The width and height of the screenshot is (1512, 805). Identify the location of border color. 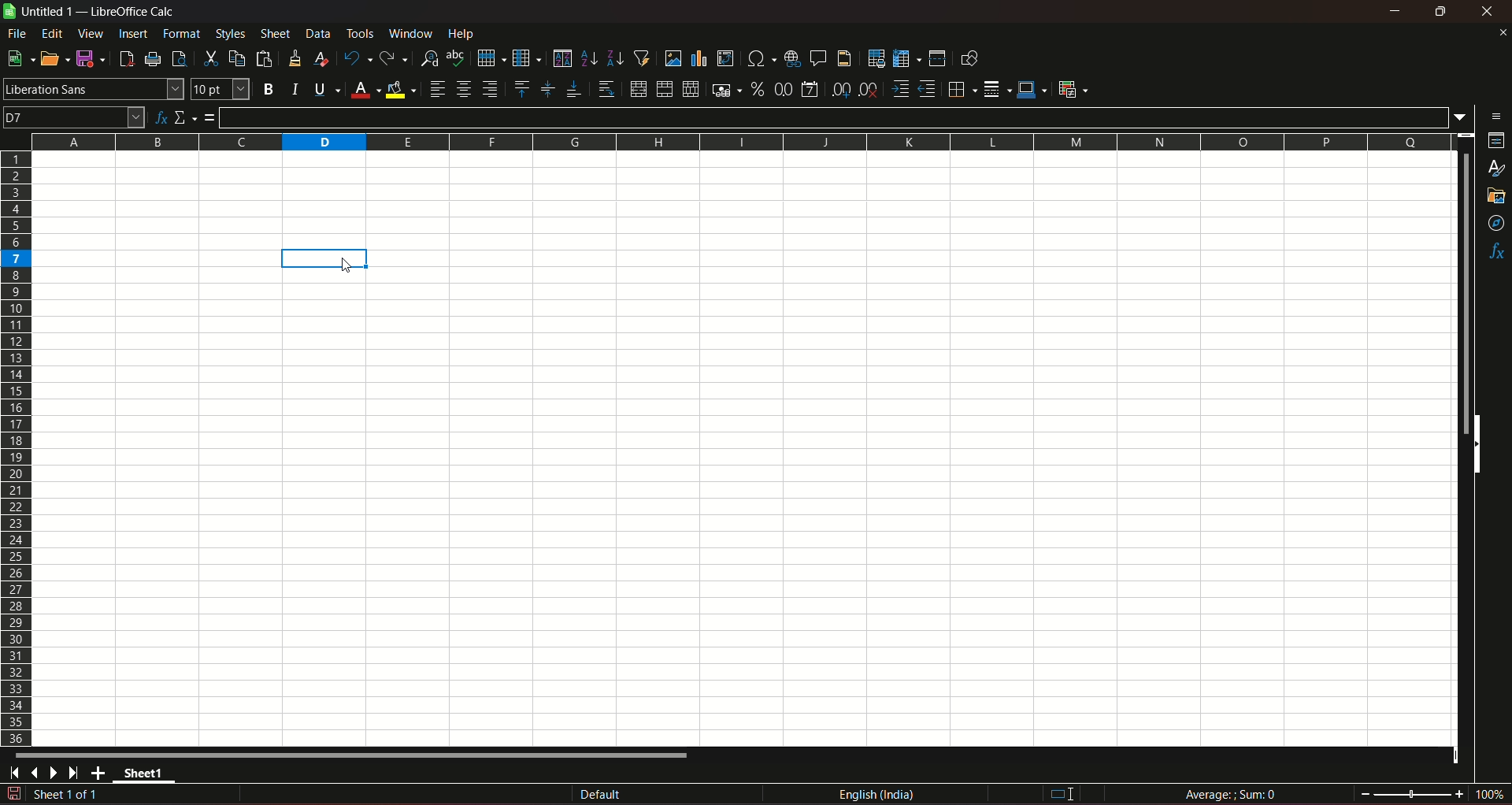
(1032, 88).